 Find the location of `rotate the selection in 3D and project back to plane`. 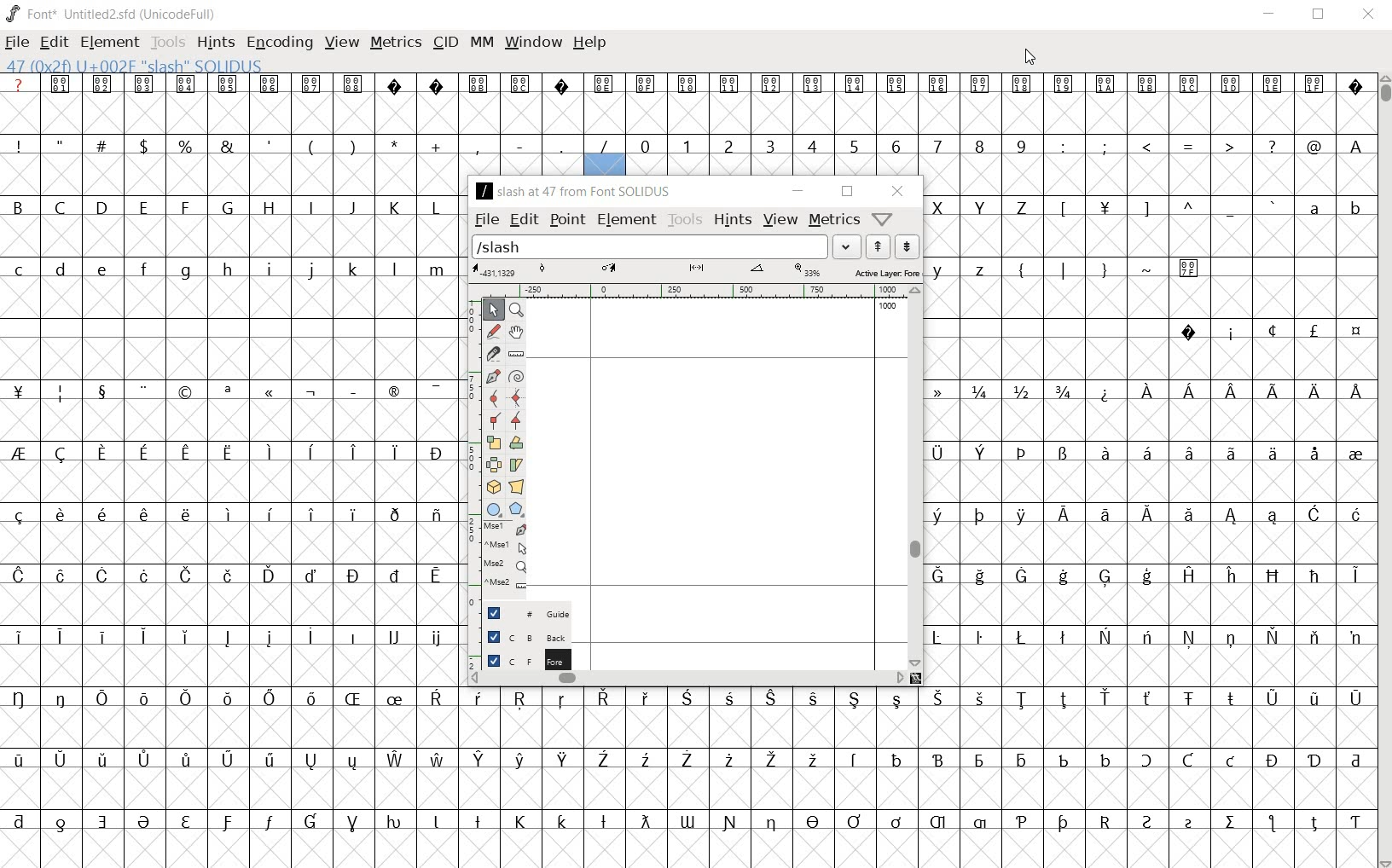

rotate the selection in 3D and project back to plane is located at coordinates (494, 488).